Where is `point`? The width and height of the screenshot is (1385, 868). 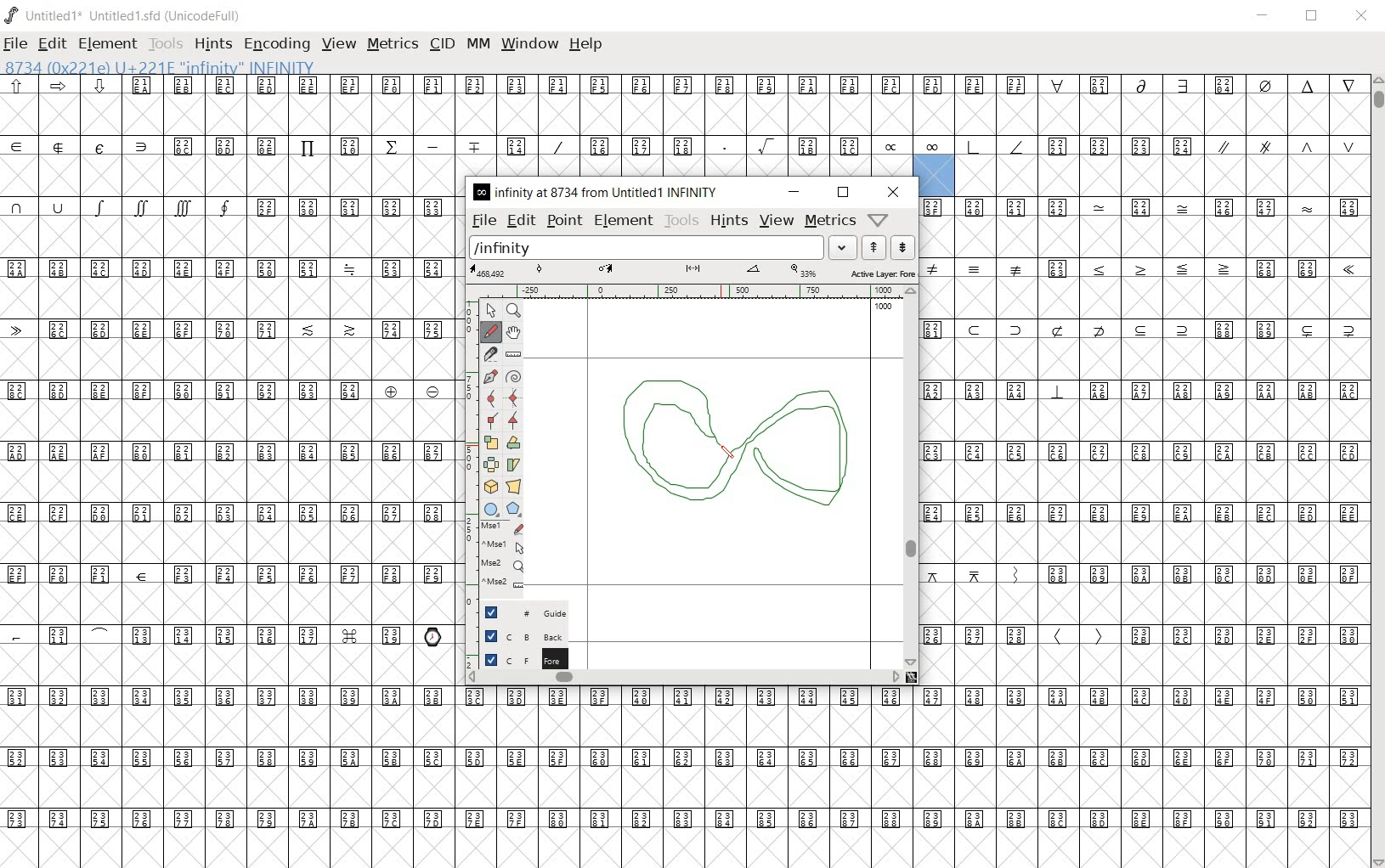 point is located at coordinates (563, 221).